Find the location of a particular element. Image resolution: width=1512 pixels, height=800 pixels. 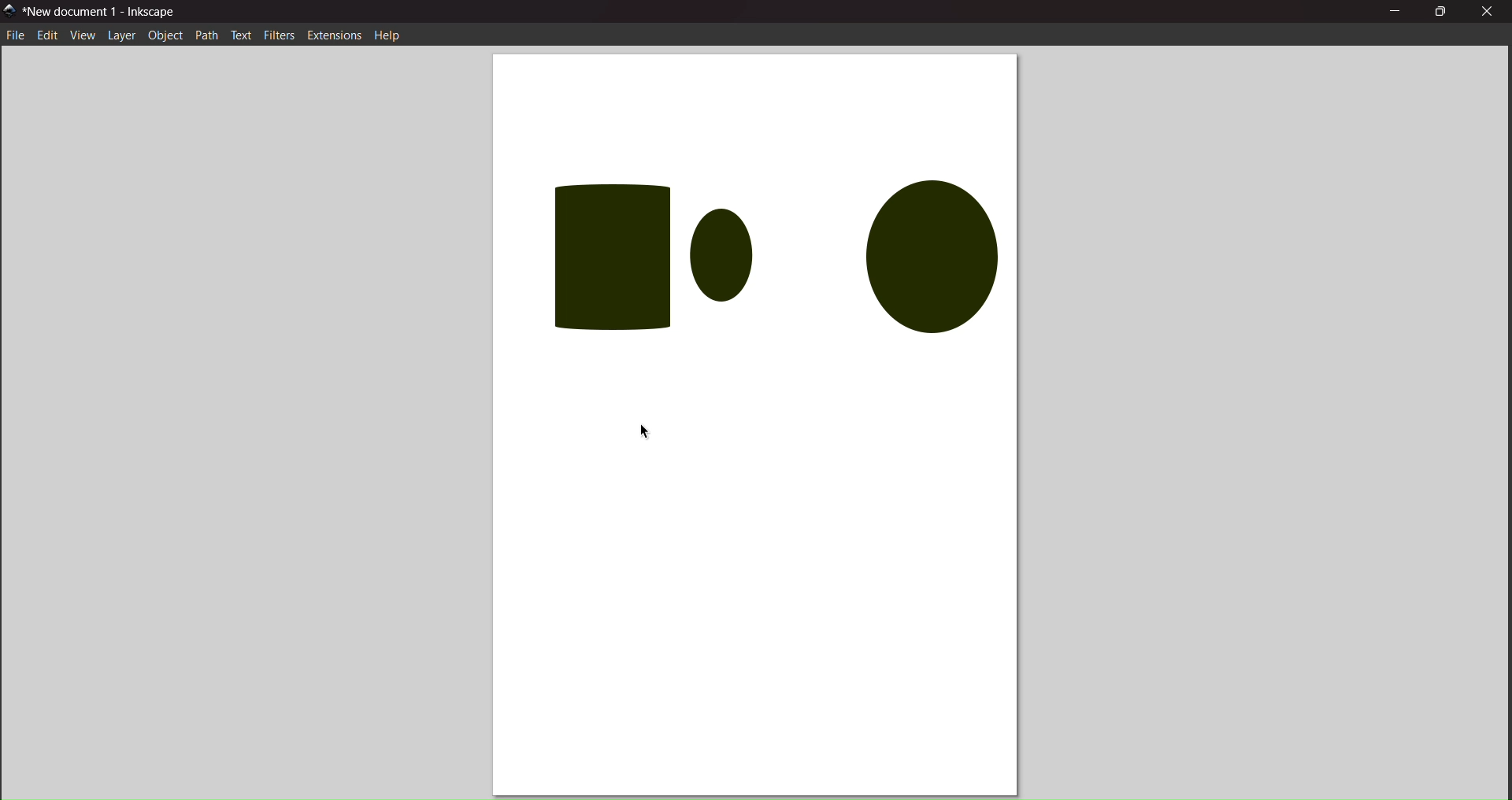

extension is located at coordinates (334, 35).